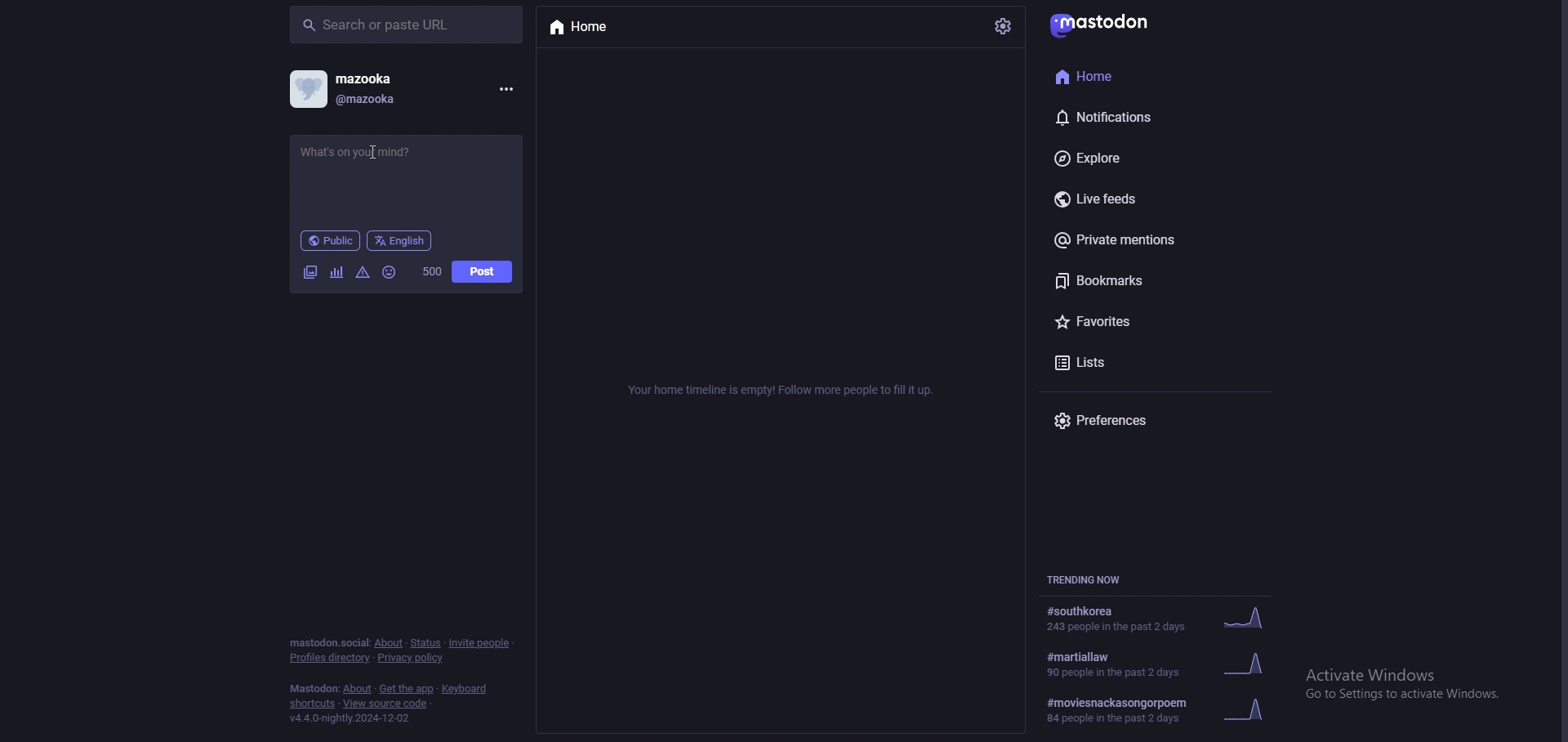 Image resolution: width=1568 pixels, height=742 pixels. Describe the element at coordinates (425, 642) in the screenshot. I see `Status` at that location.